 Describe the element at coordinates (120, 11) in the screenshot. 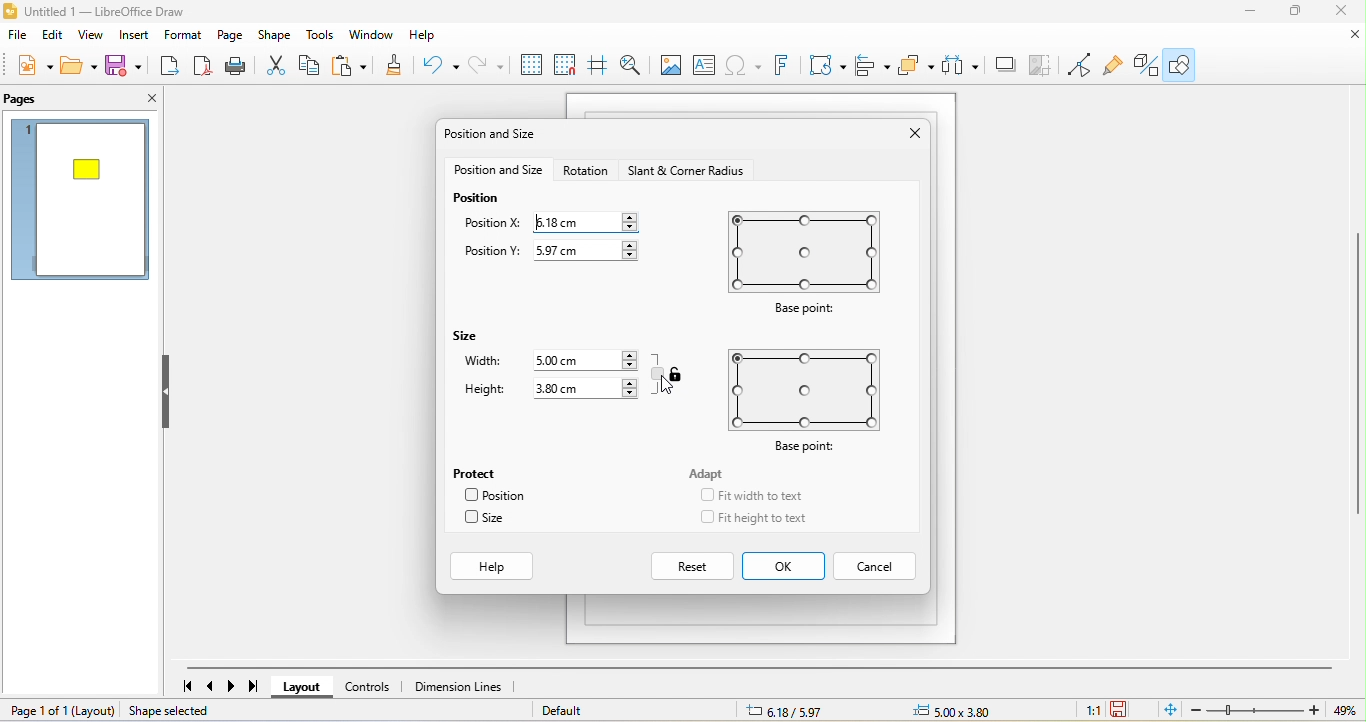

I see `untitled 1- libre office draw` at that location.